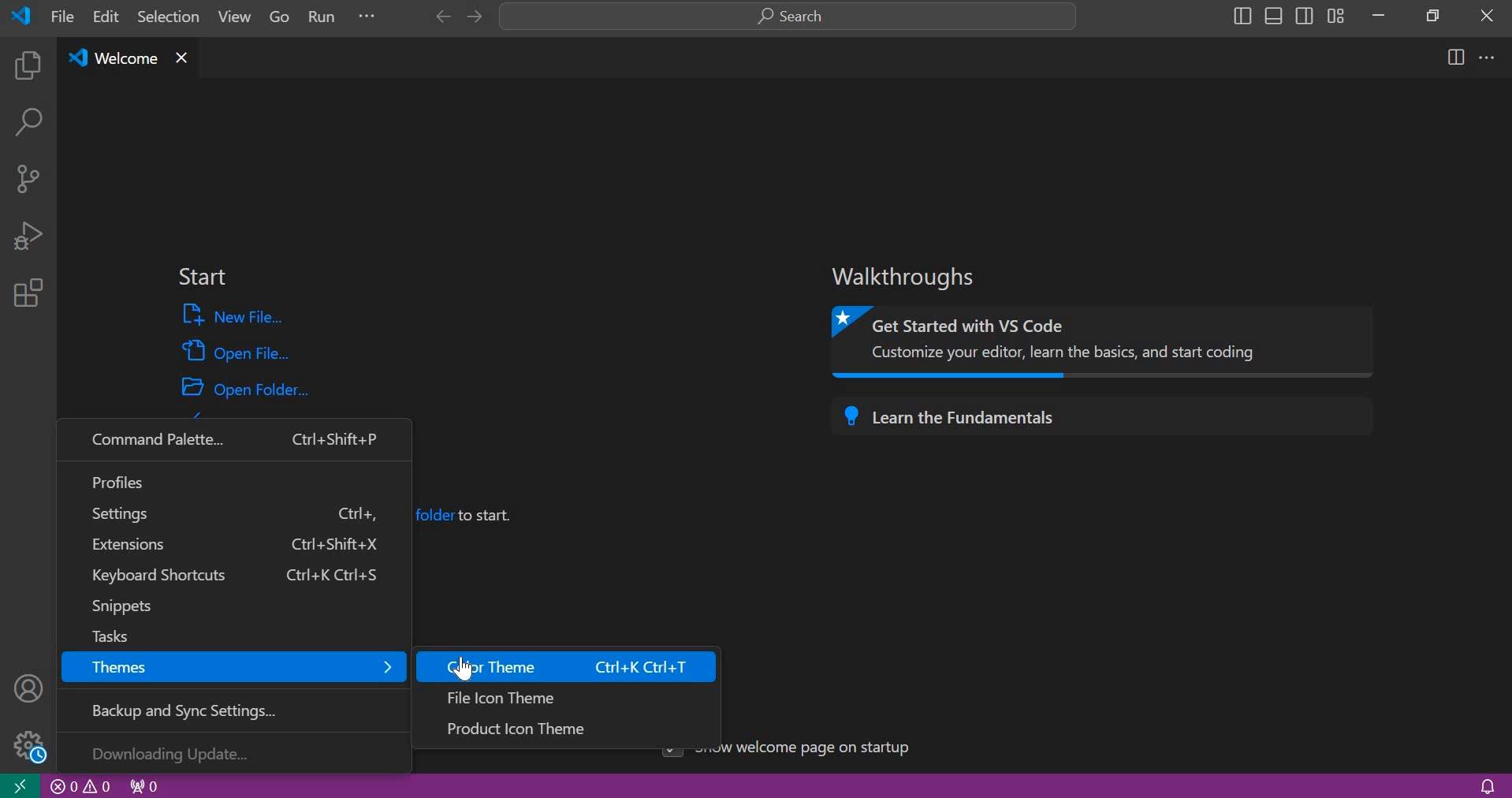  I want to click on start, so click(202, 278).